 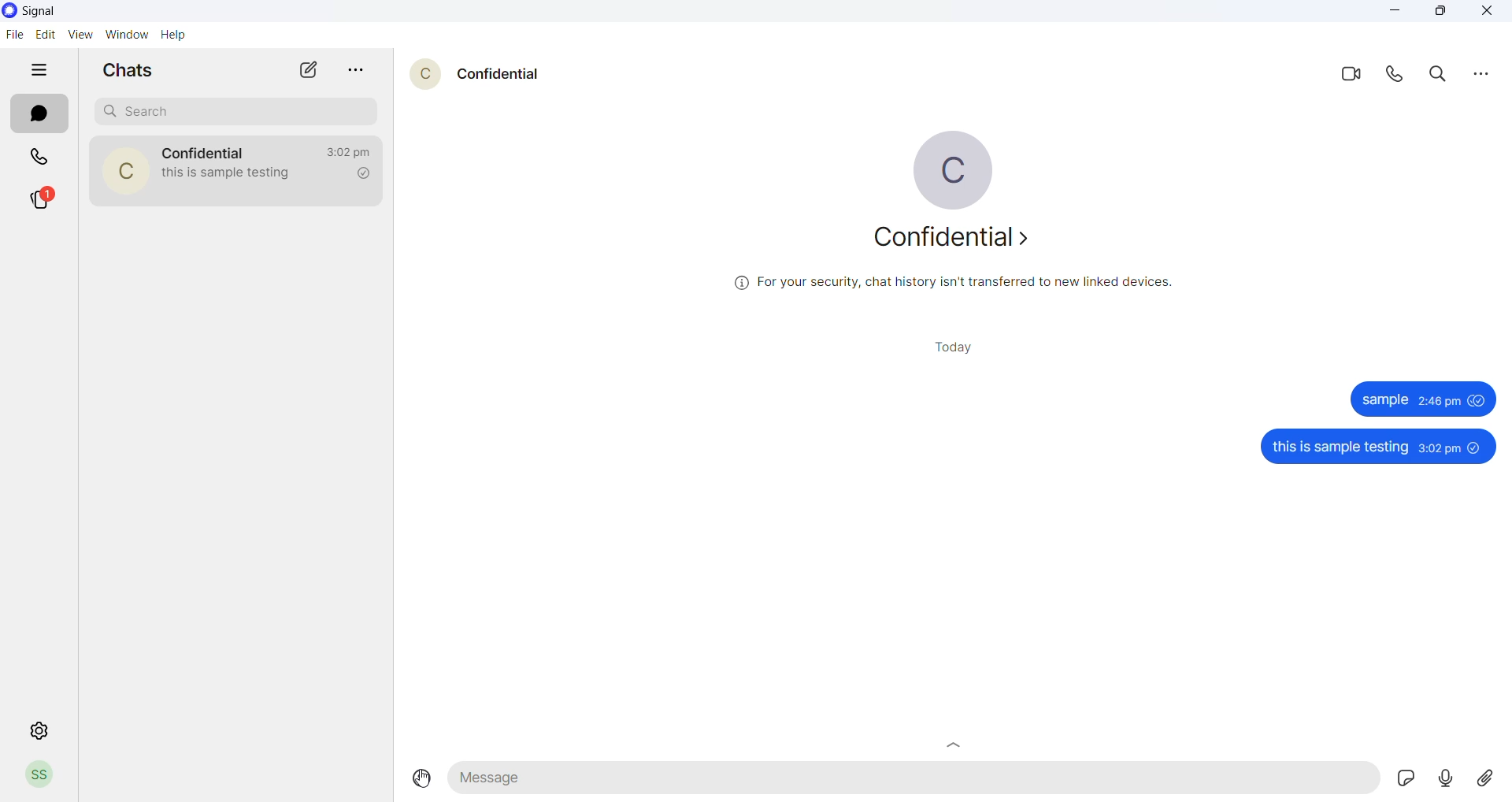 I want to click on window, so click(x=127, y=34).